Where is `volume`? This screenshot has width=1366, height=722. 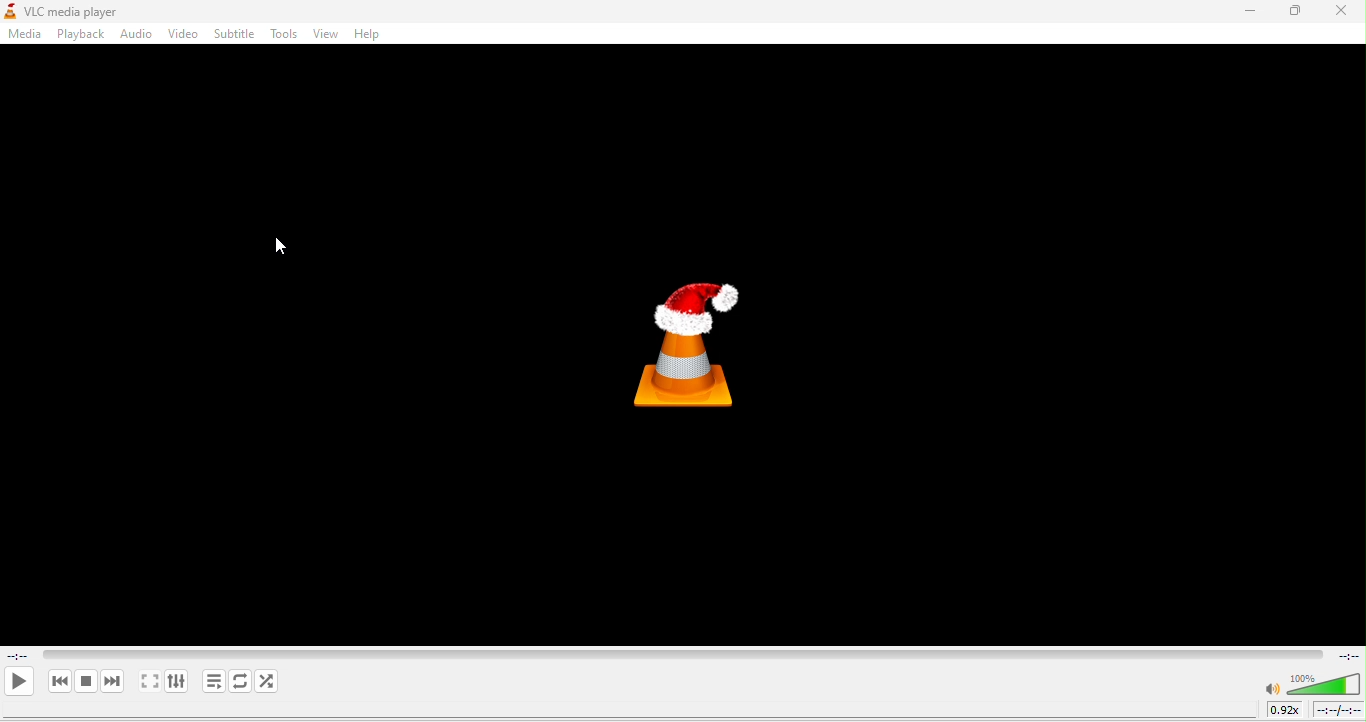 volume is located at coordinates (1324, 684).